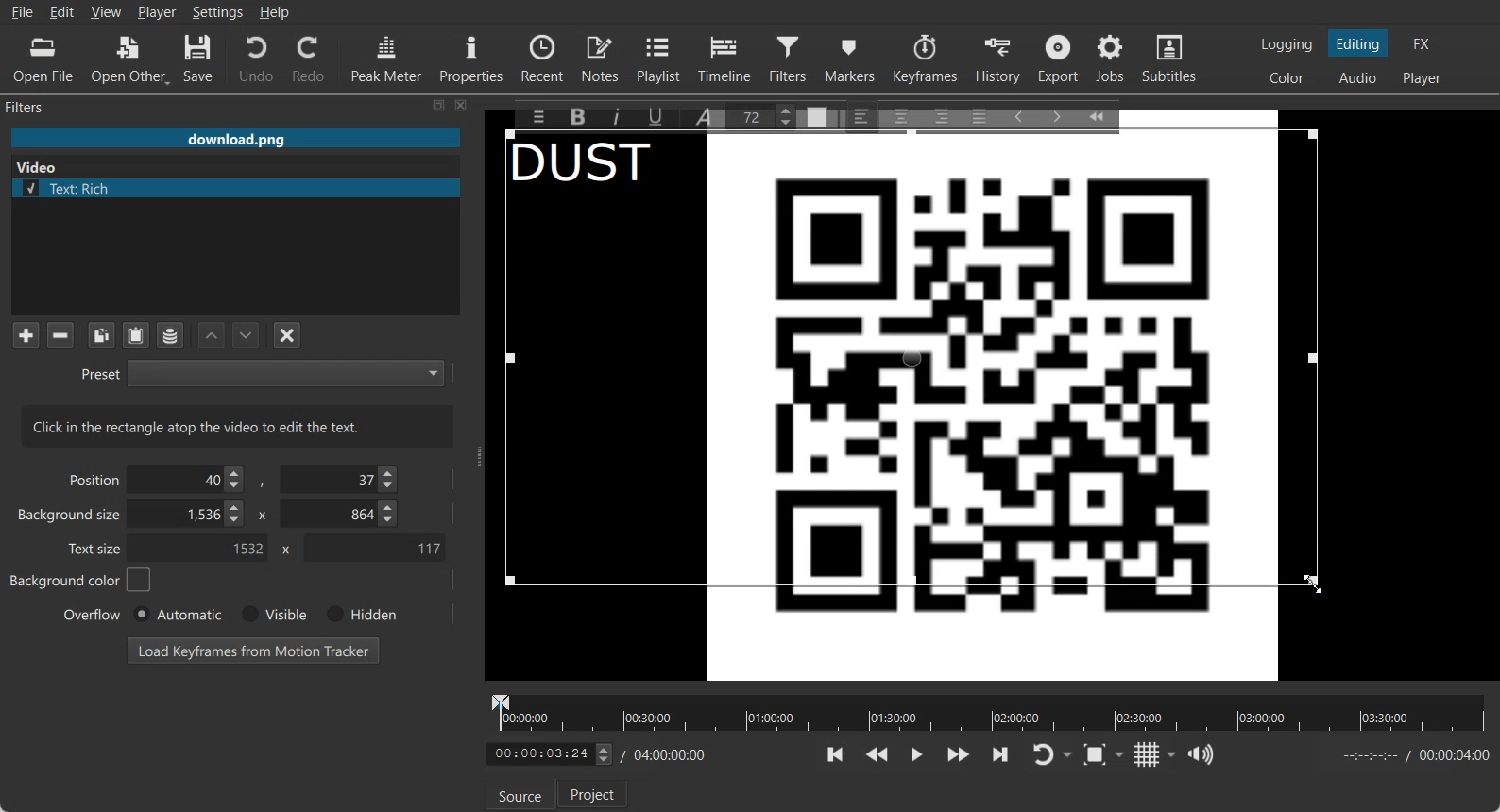  What do you see at coordinates (91, 479) in the screenshot?
I see `Position` at bounding box center [91, 479].